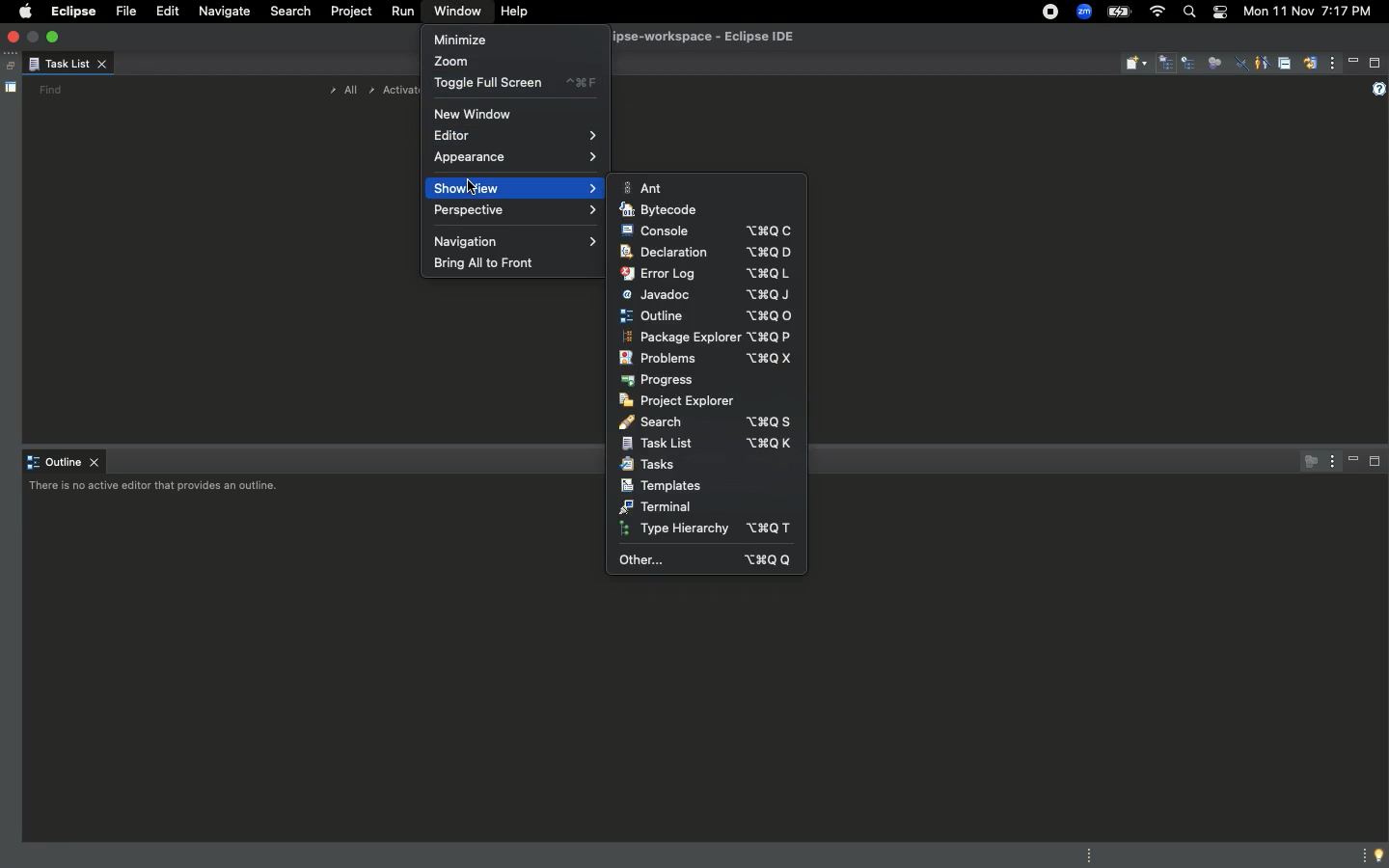 The width and height of the screenshot is (1389, 868). I want to click on Minimize, so click(463, 39).